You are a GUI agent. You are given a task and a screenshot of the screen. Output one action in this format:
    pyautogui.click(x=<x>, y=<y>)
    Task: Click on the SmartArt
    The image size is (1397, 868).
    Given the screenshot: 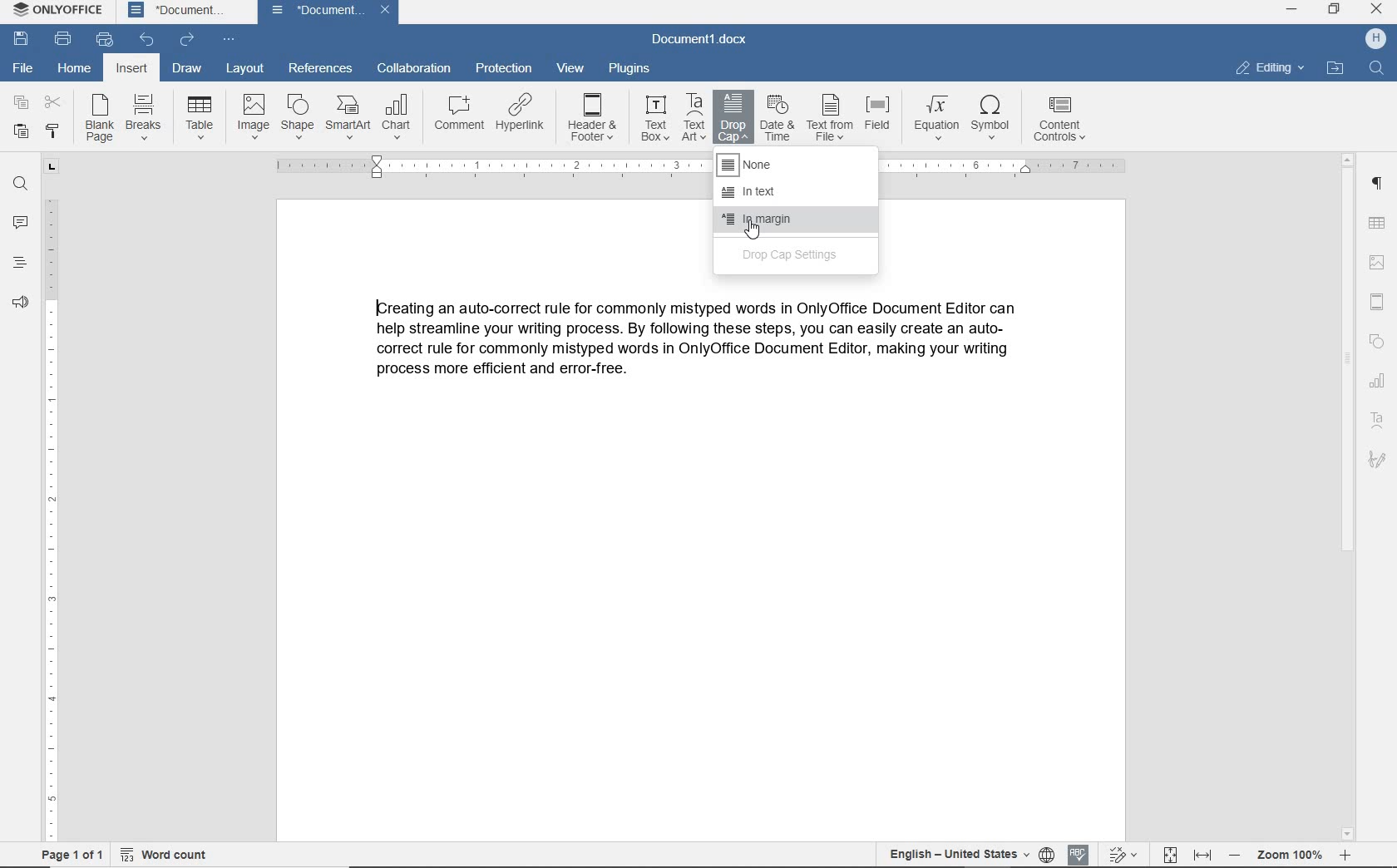 What is the action you would take?
    pyautogui.click(x=348, y=116)
    